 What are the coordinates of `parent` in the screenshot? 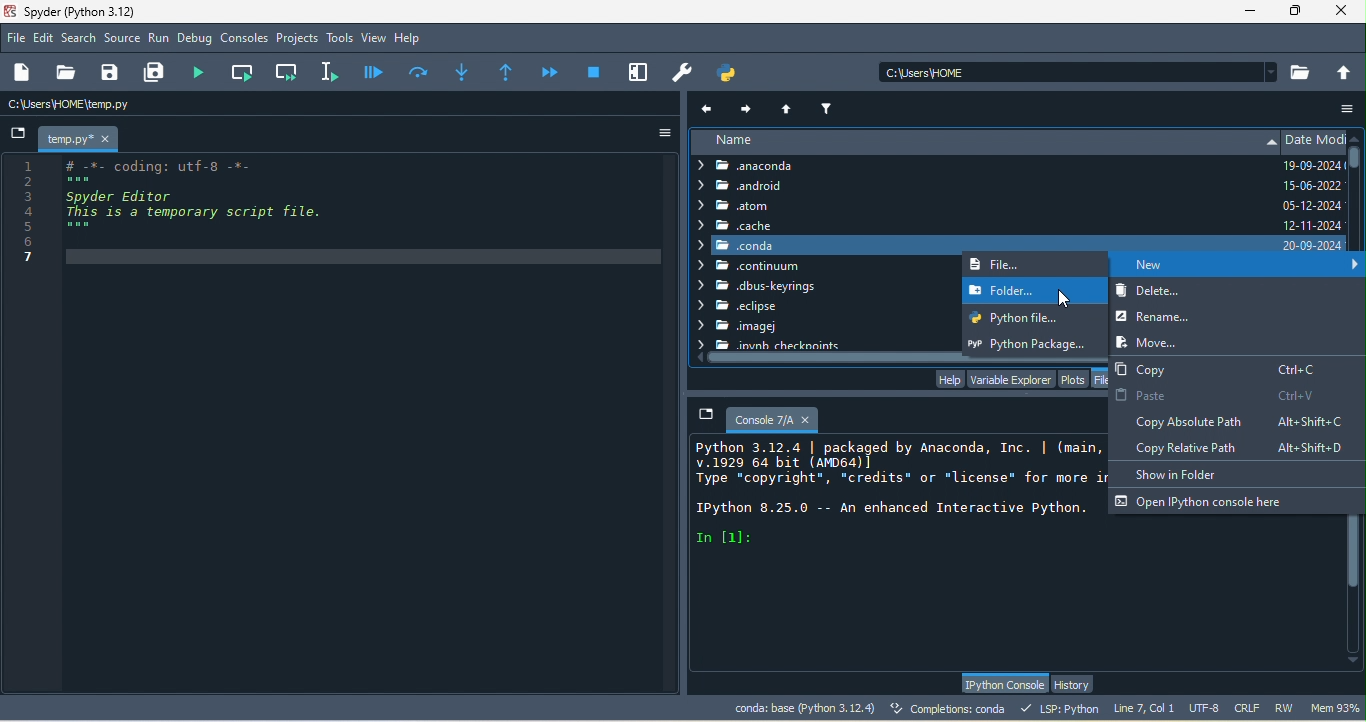 It's located at (790, 107).